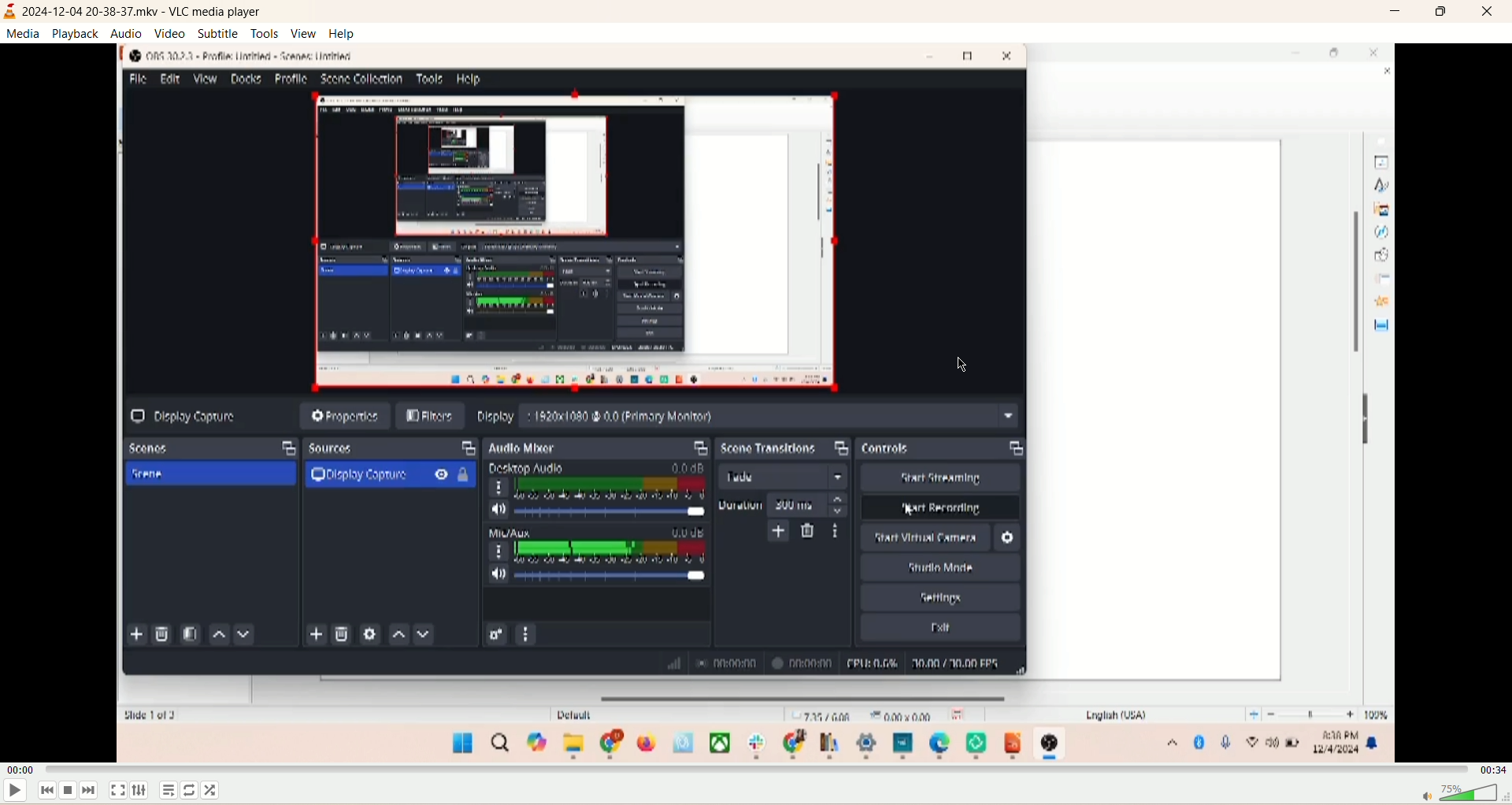 Image resolution: width=1512 pixels, height=805 pixels. I want to click on progress bar, so click(755, 770).